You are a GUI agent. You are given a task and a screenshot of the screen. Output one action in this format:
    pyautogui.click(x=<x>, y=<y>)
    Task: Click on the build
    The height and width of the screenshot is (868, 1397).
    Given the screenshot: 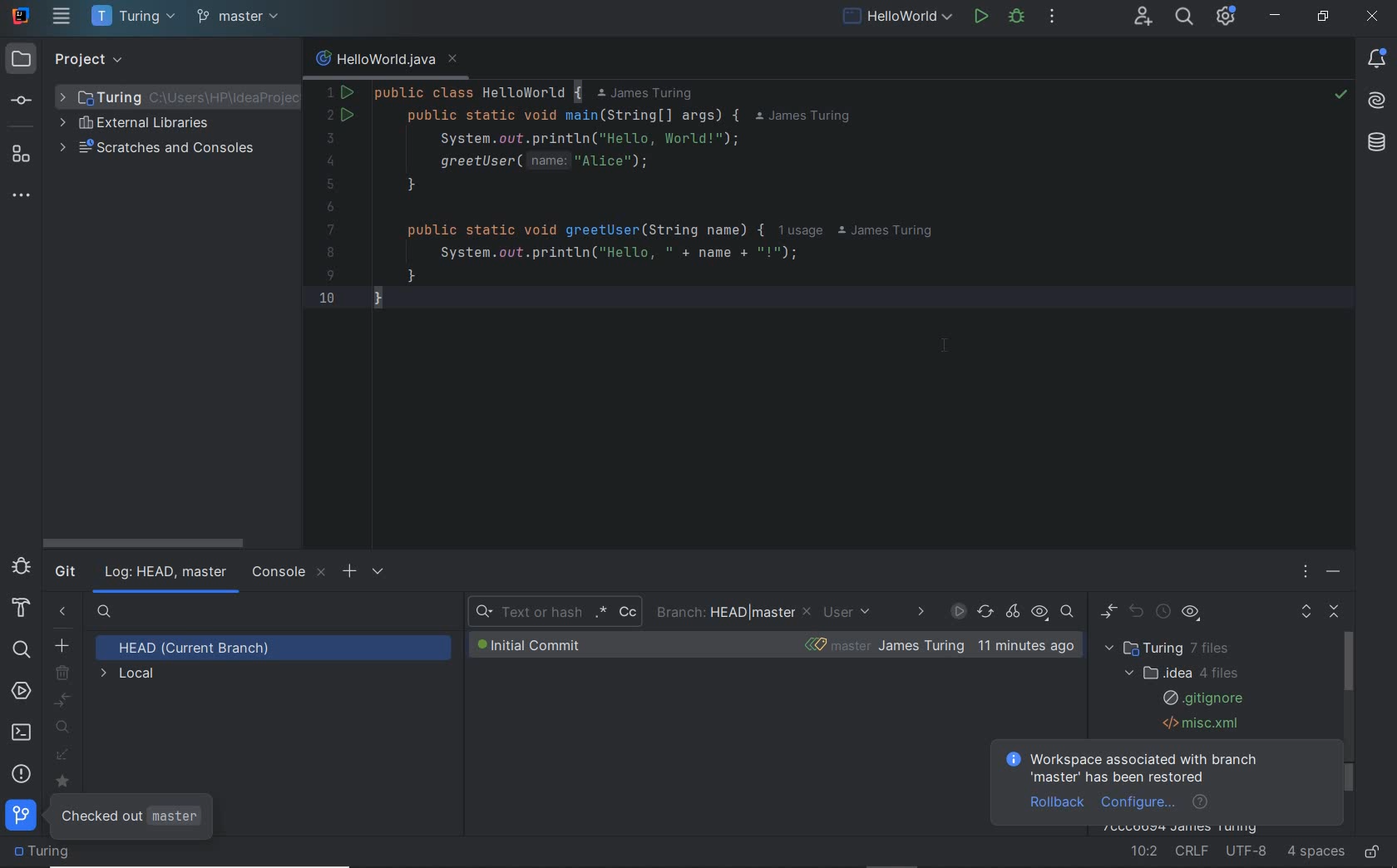 What is the action you would take?
    pyautogui.click(x=21, y=609)
    